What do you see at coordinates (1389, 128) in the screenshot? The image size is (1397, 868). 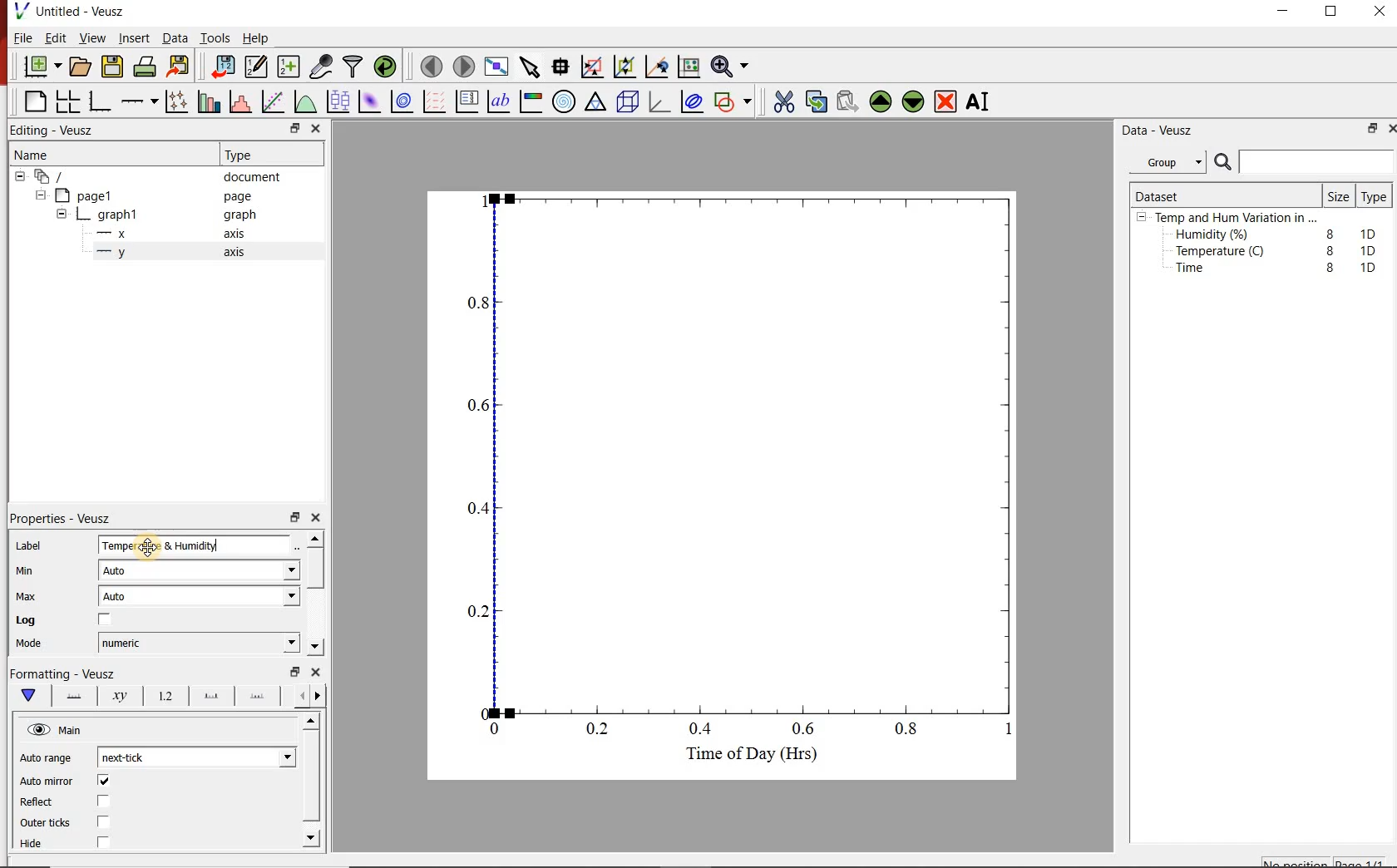 I see `close` at bounding box center [1389, 128].